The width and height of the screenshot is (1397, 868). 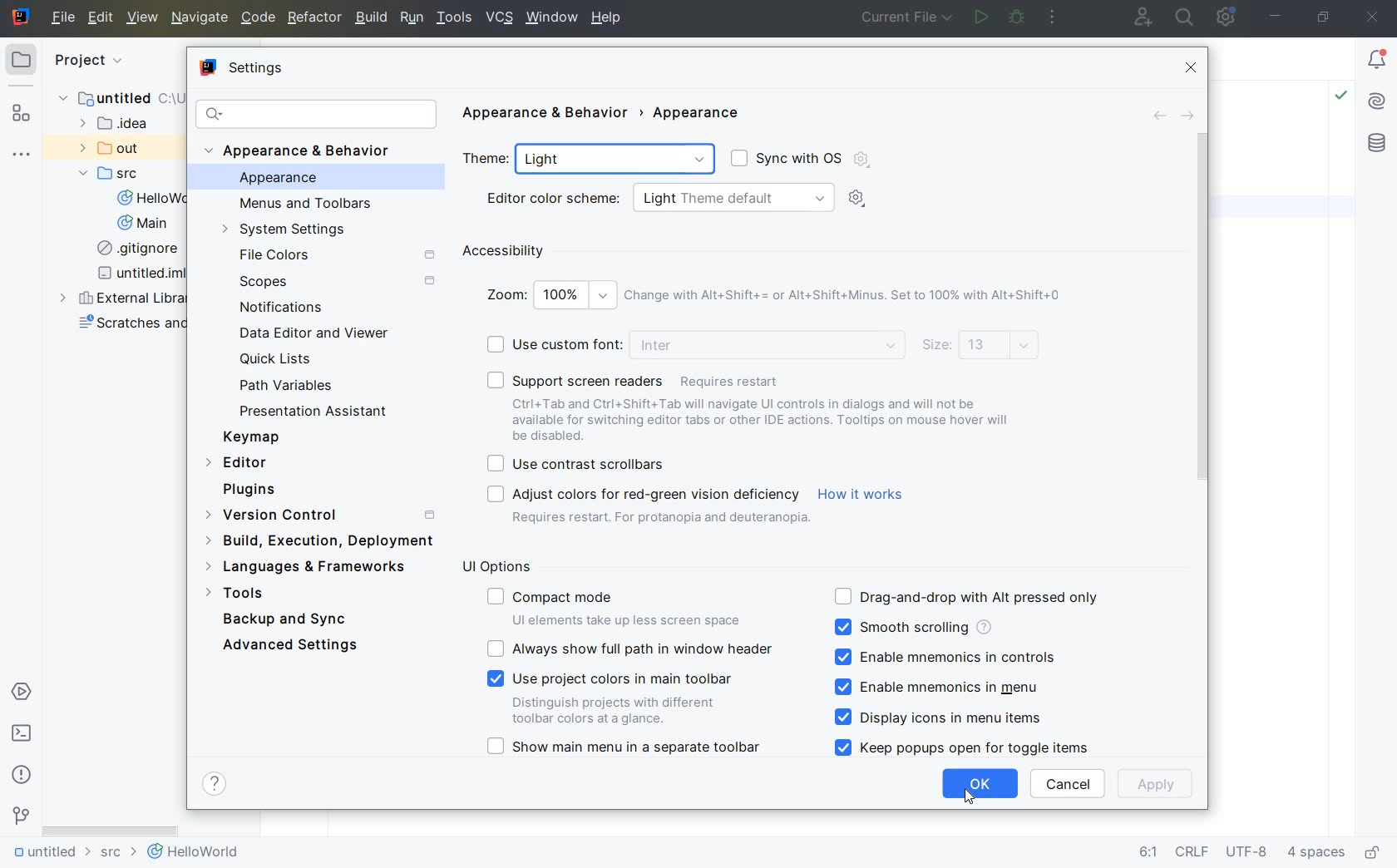 I want to click on UNTITLED, so click(x=50, y=853).